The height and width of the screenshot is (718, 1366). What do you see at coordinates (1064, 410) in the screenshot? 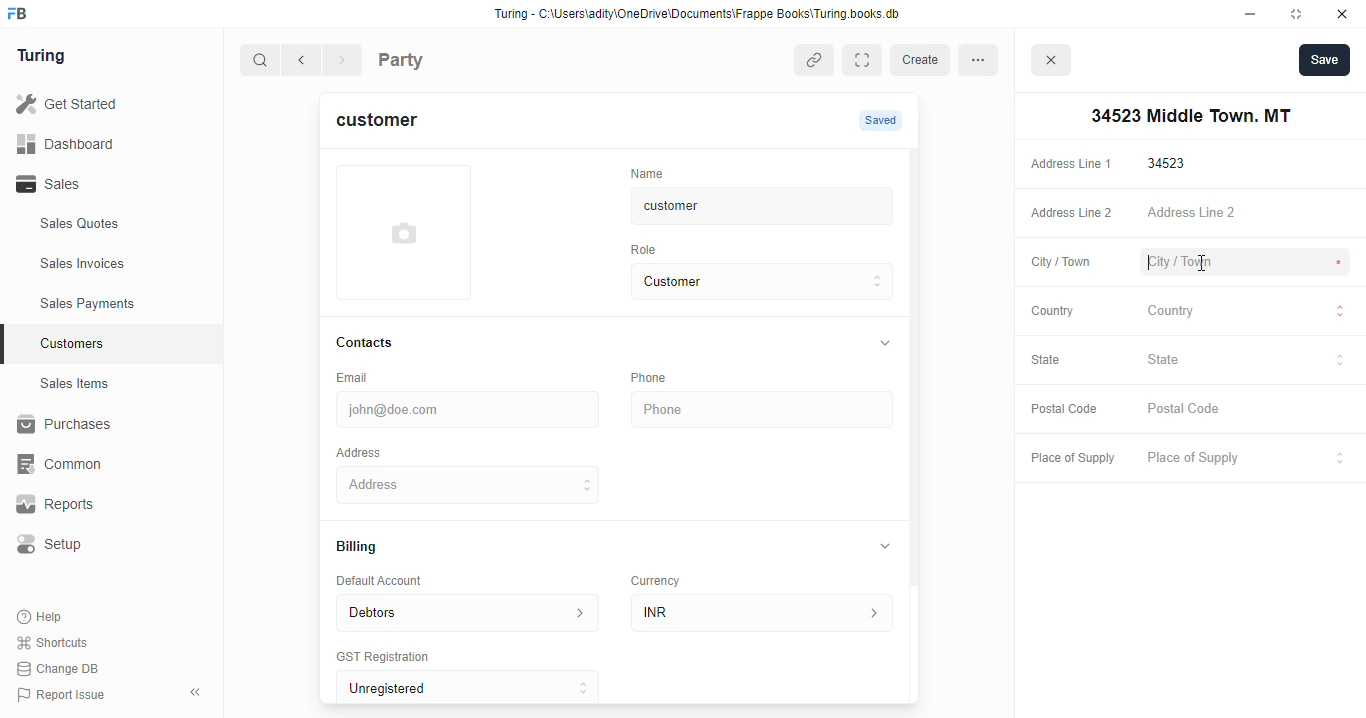
I see `Postal Code` at bounding box center [1064, 410].